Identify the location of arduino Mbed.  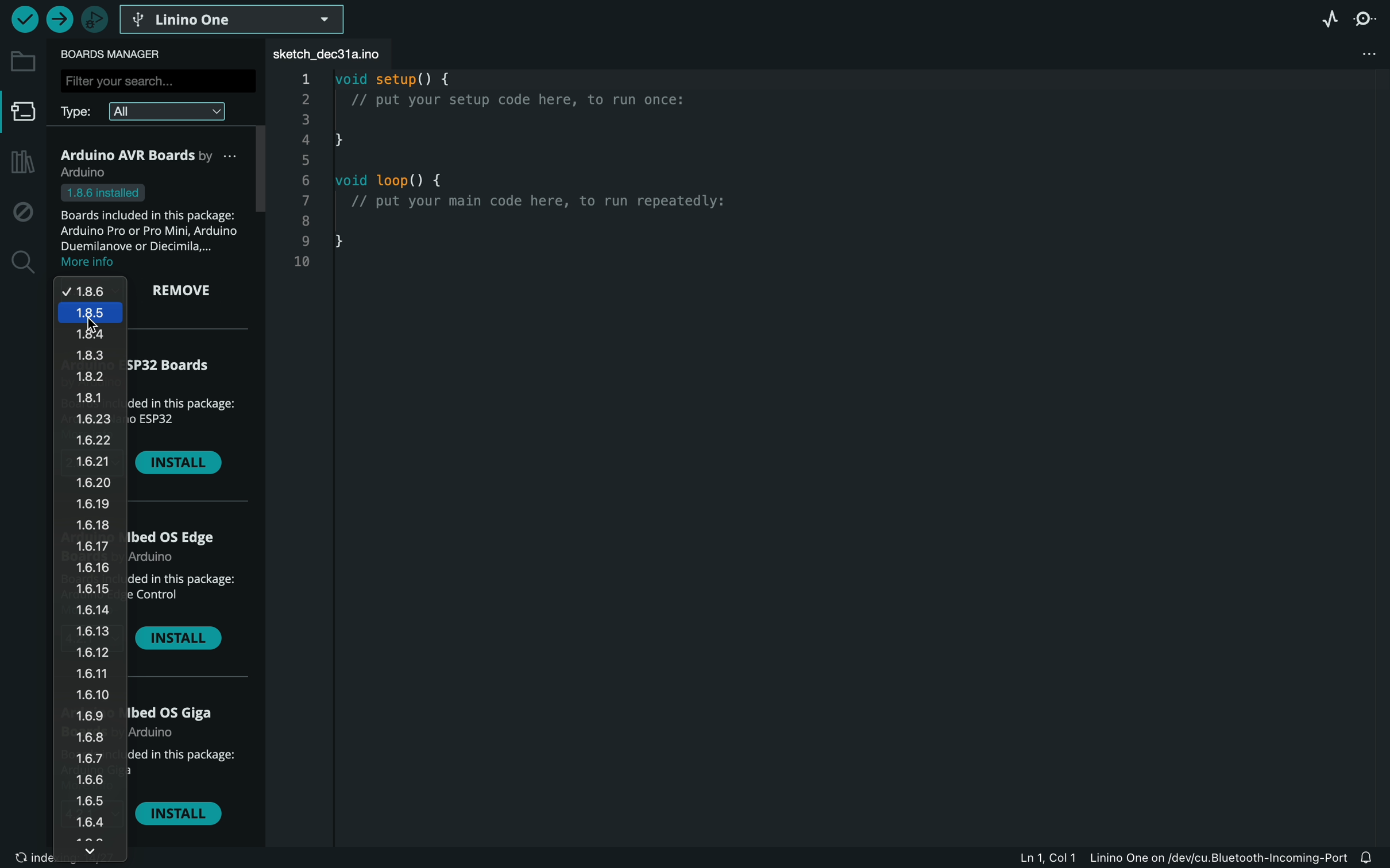
(180, 548).